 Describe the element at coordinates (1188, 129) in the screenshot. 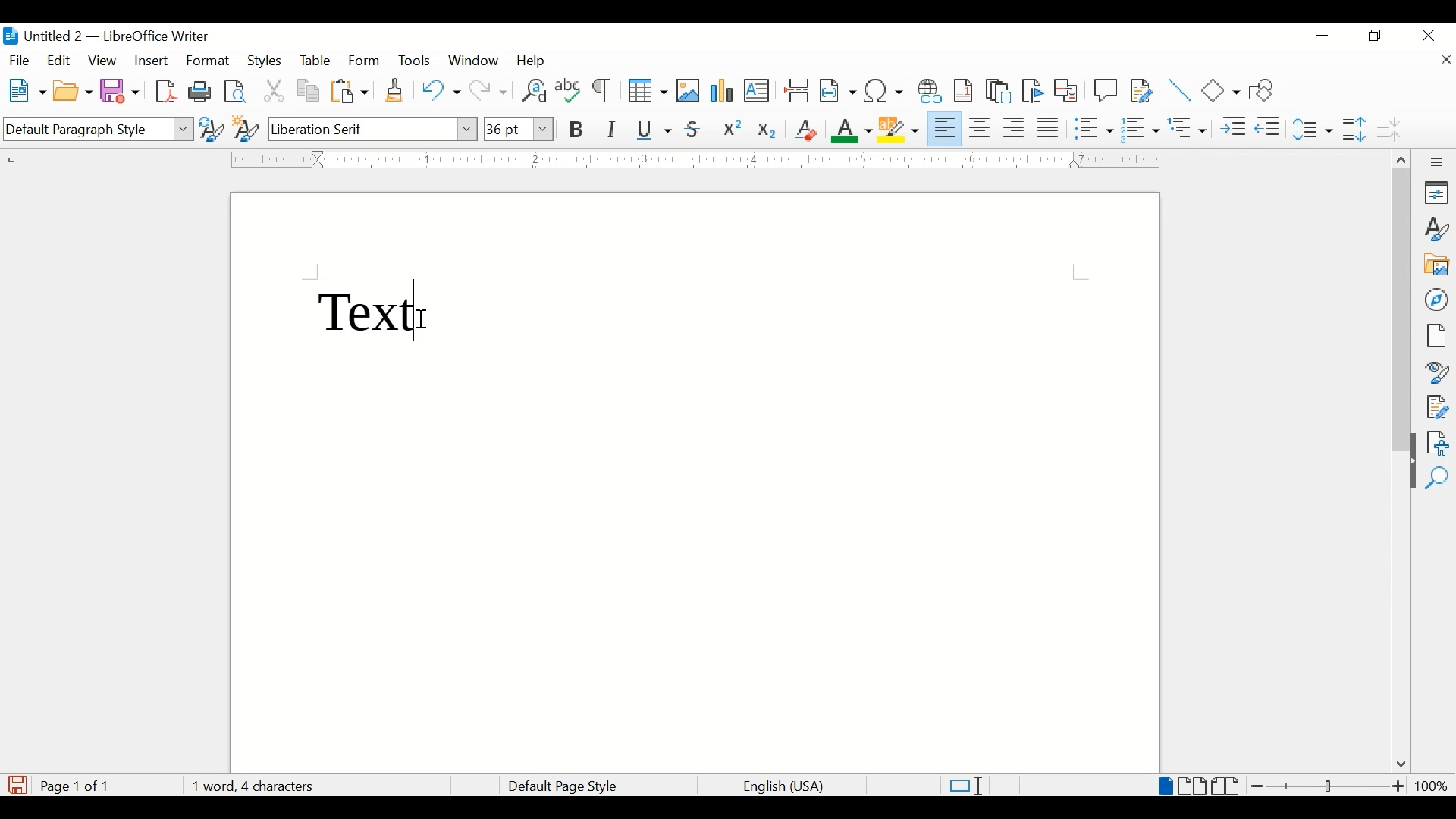

I see `select outline format` at that location.